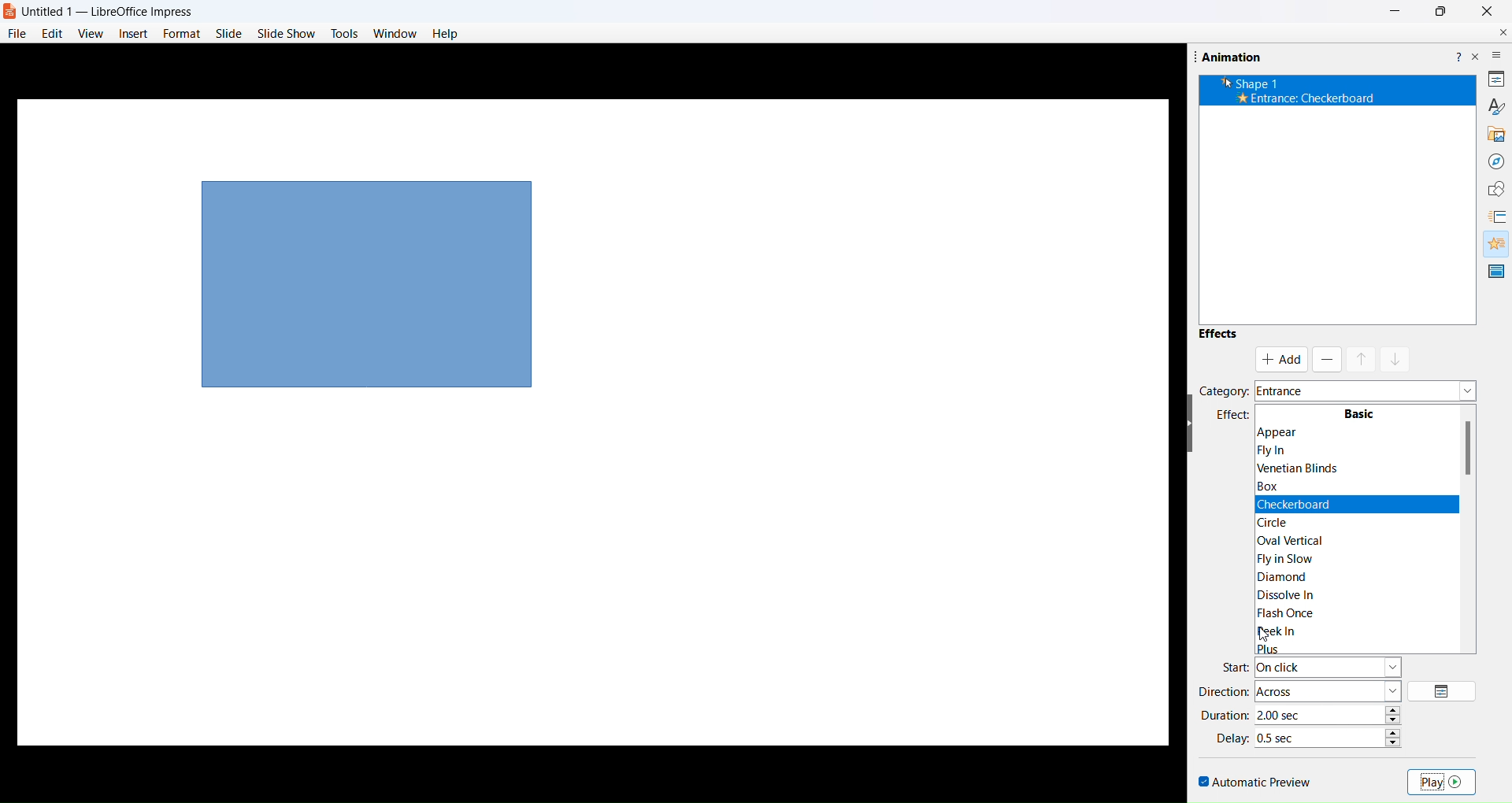 The image size is (1512, 803). What do you see at coordinates (1293, 594) in the screenshot?
I see `dissolve in` at bounding box center [1293, 594].